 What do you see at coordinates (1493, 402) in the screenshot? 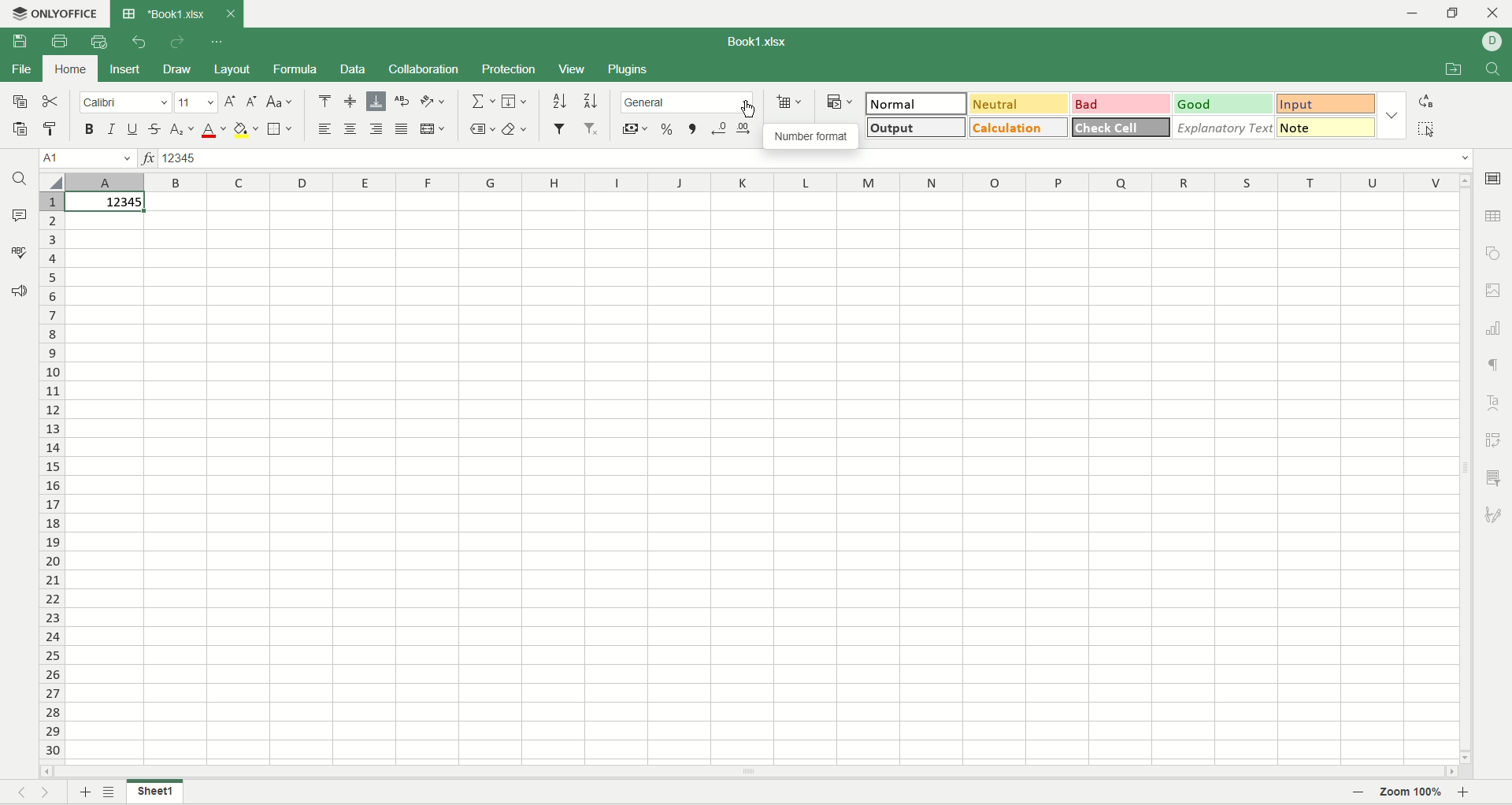
I see `text art settings` at bounding box center [1493, 402].